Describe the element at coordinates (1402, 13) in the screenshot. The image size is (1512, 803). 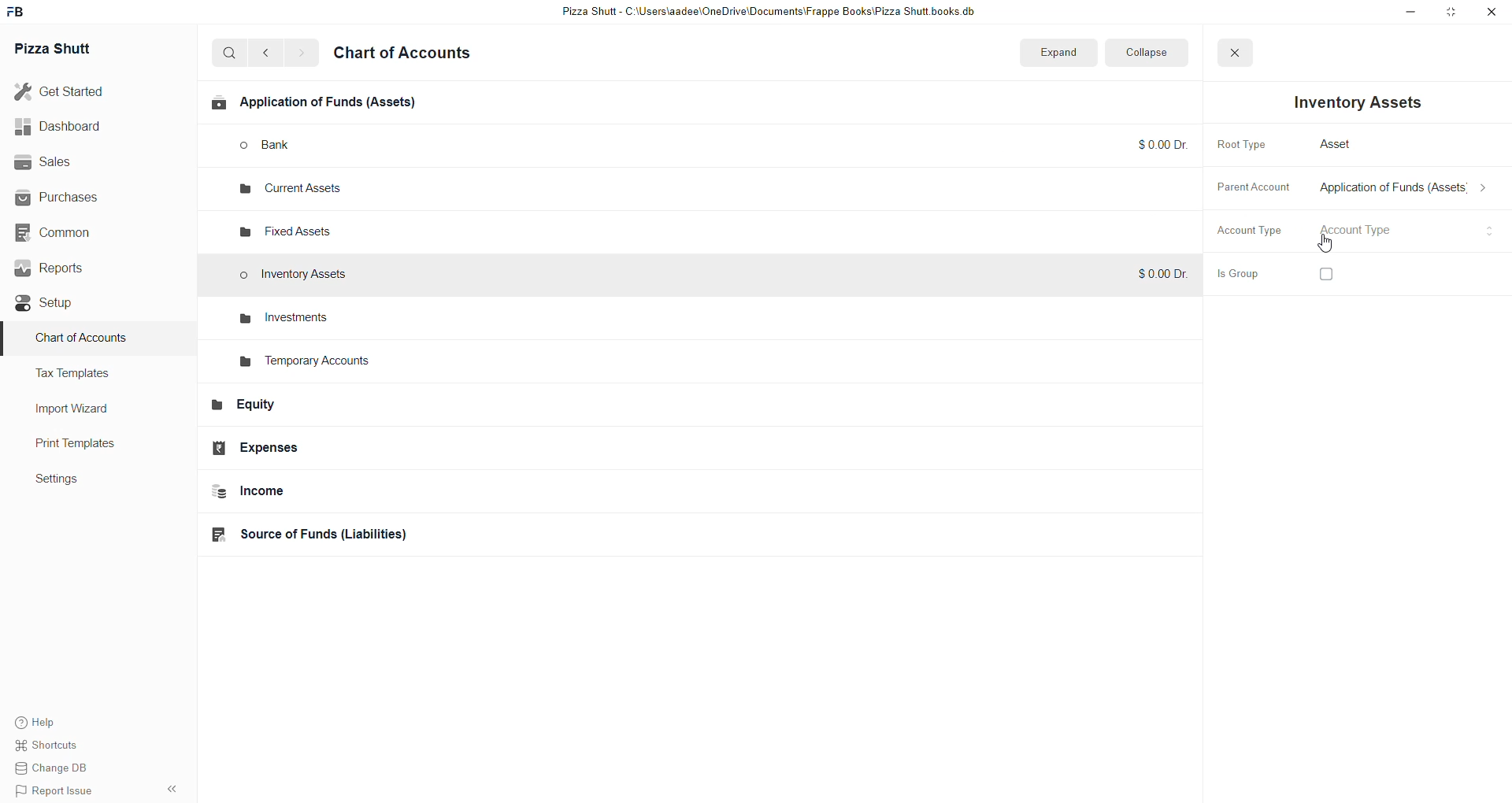
I see `minimize ` at that location.